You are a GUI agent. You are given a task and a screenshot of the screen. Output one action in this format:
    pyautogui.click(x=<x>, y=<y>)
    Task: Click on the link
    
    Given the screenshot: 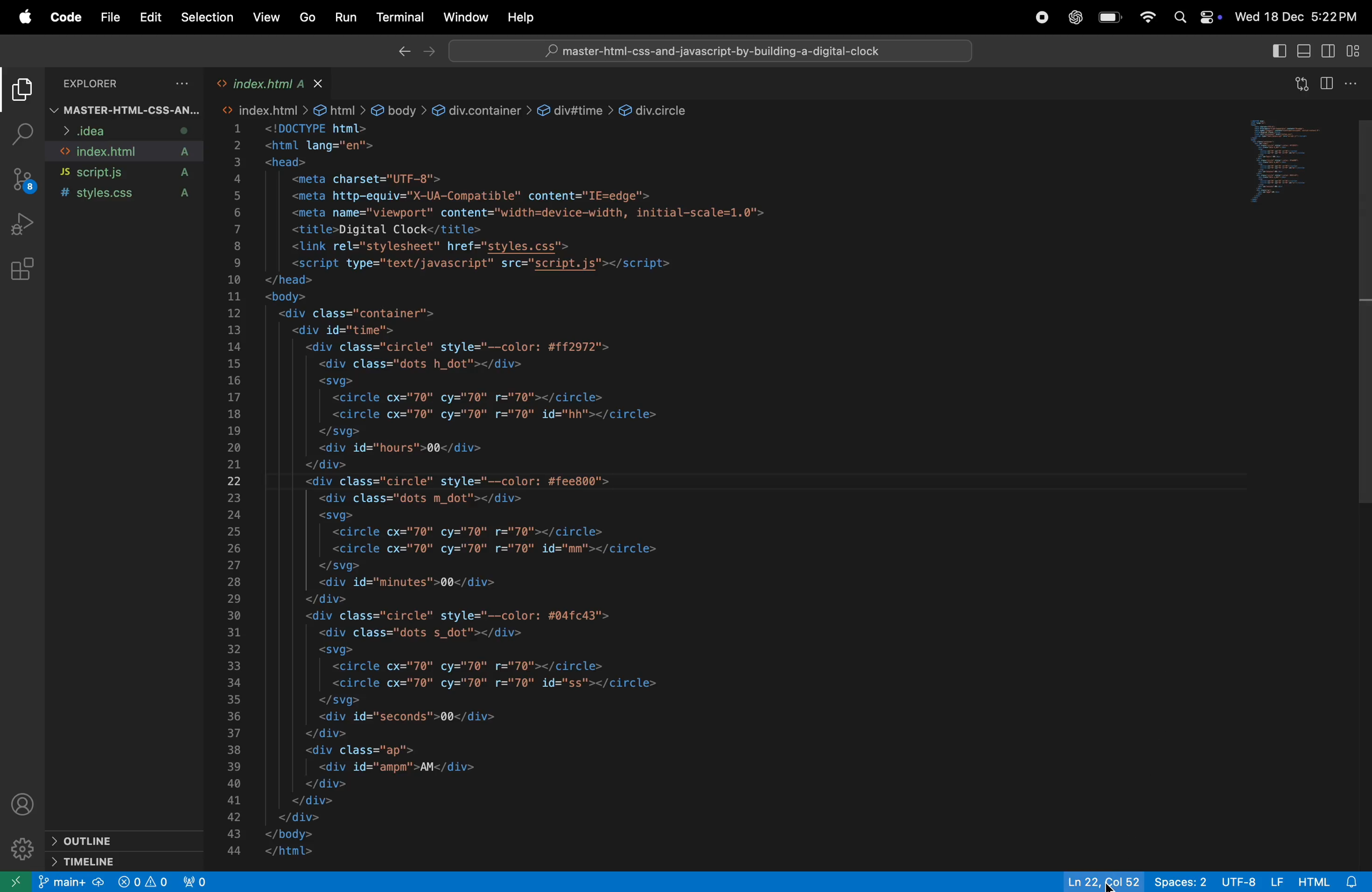 What is the action you would take?
    pyautogui.click(x=266, y=108)
    